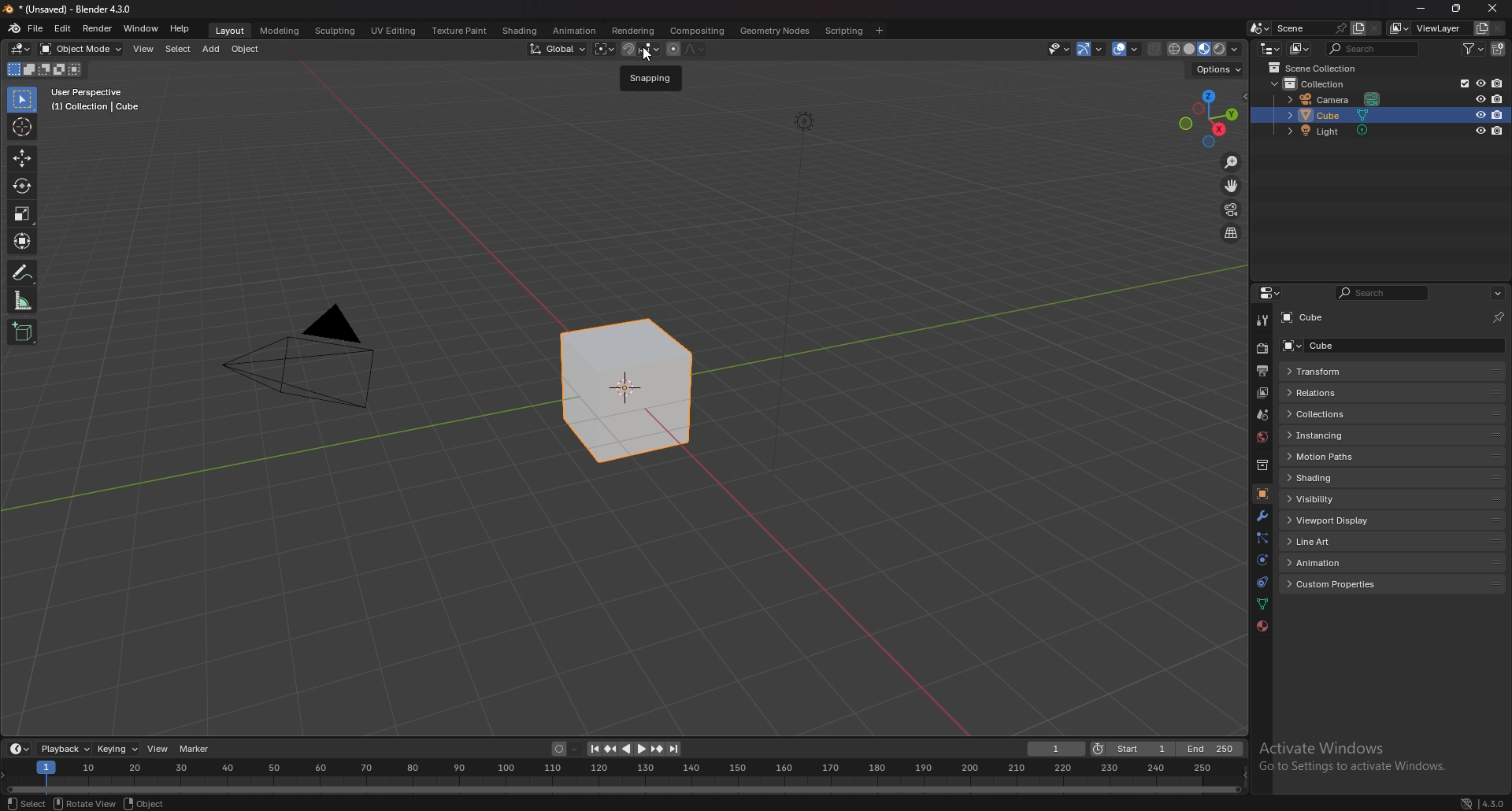 The width and height of the screenshot is (1512, 811). Describe the element at coordinates (575, 31) in the screenshot. I see `animation` at that location.